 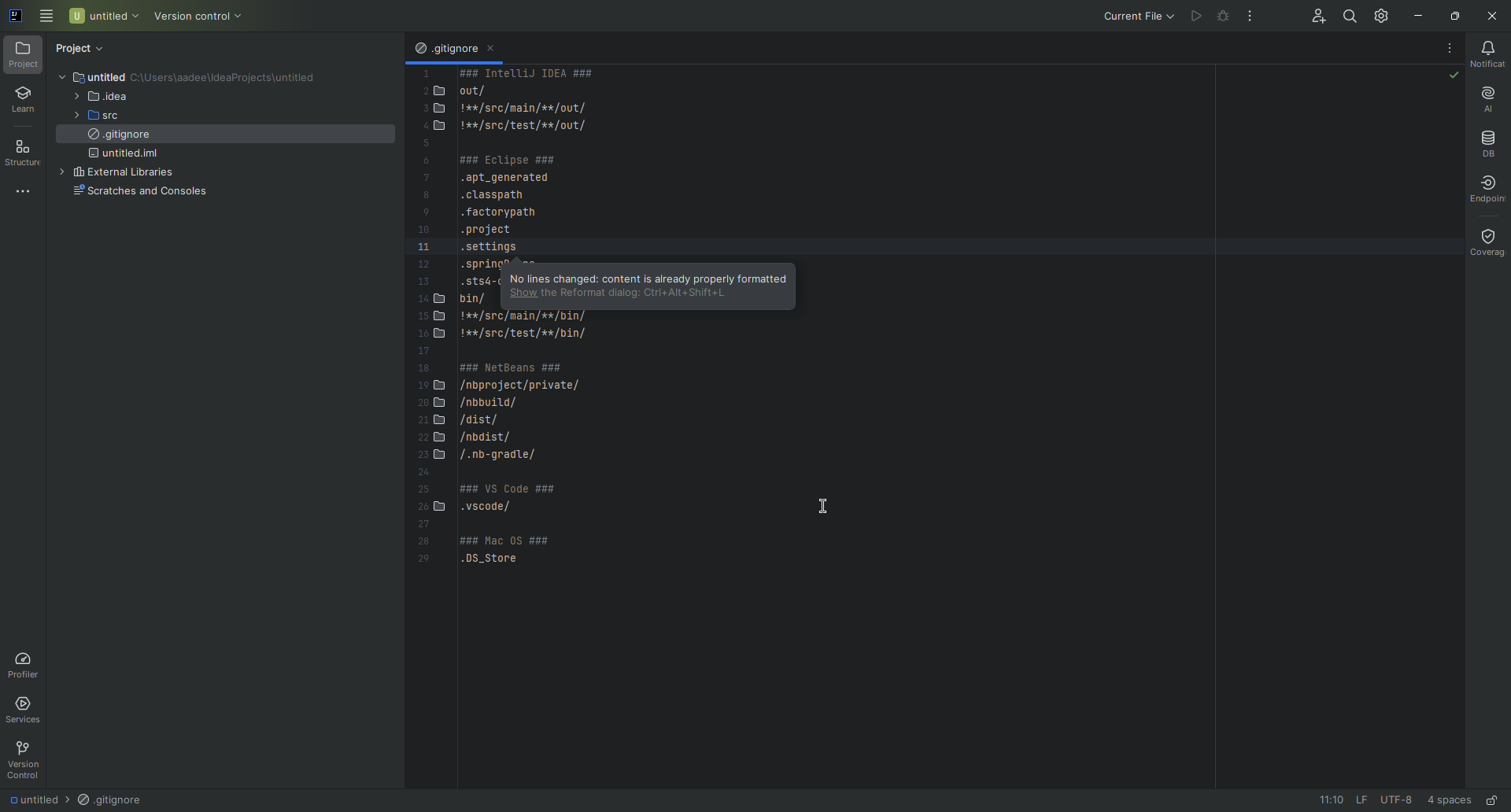 I want to click on Profiler, so click(x=26, y=664).